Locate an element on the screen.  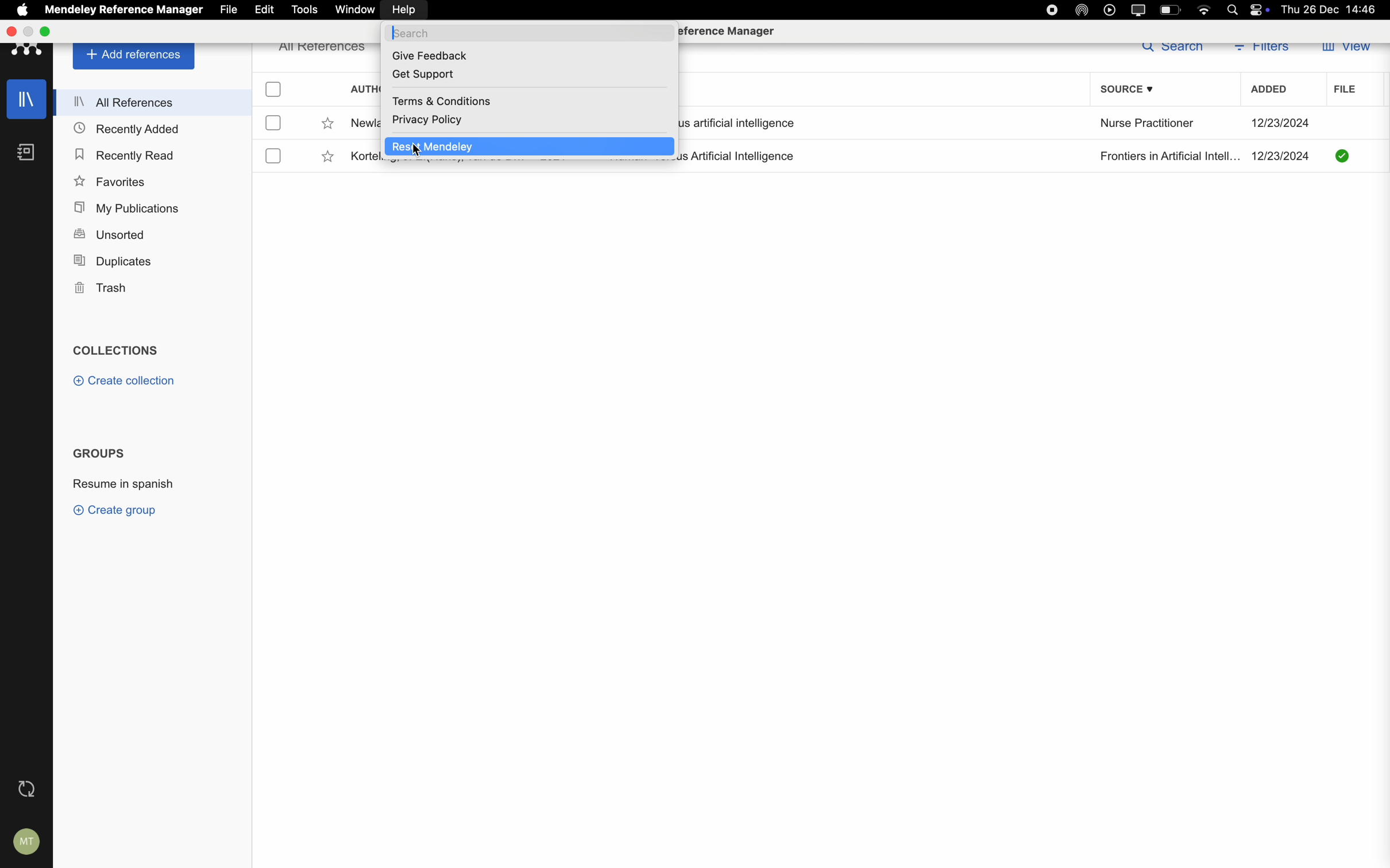
resume in spanish is located at coordinates (123, 481).